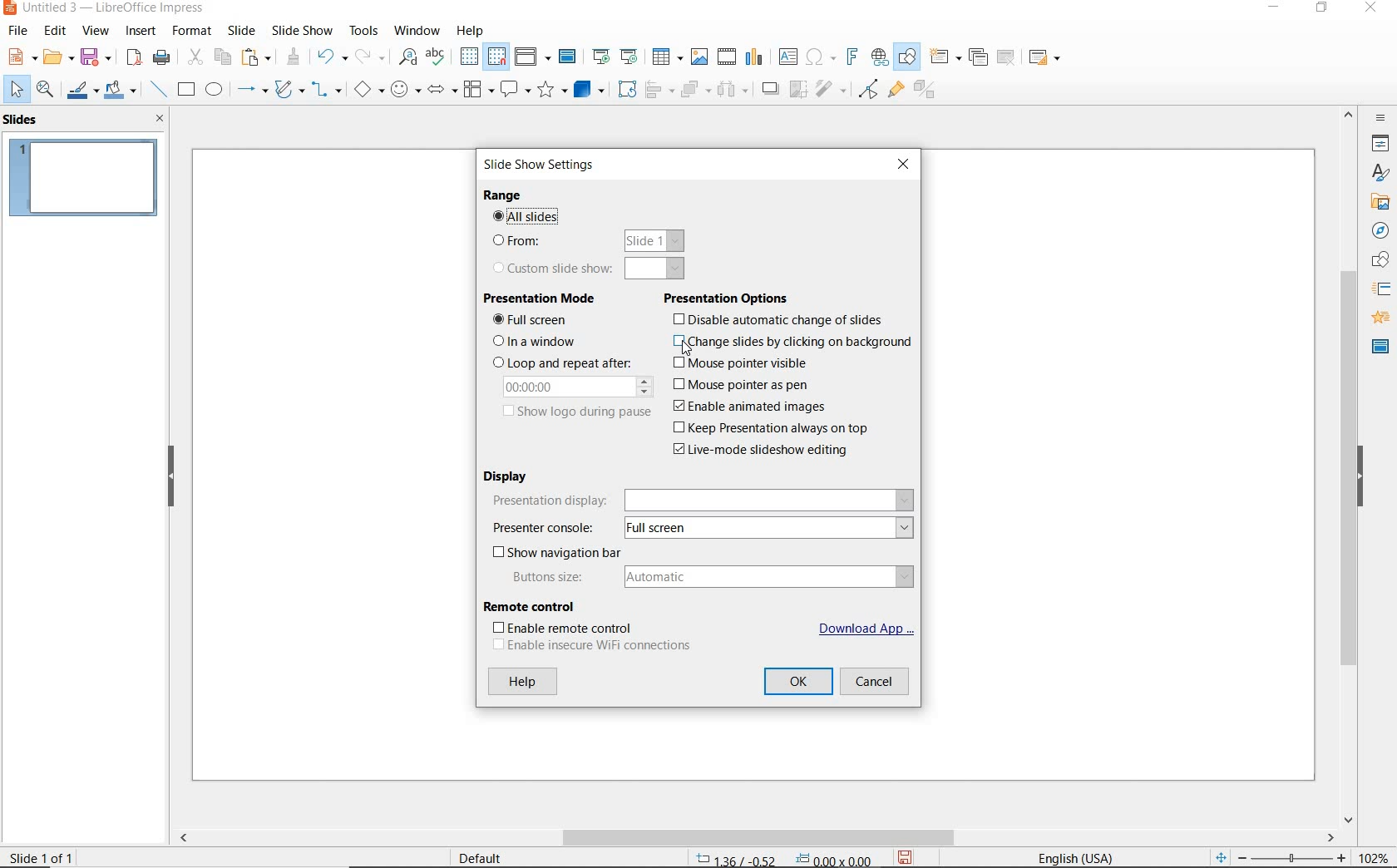  I want to click on DEFAULT, so click(486, 856).